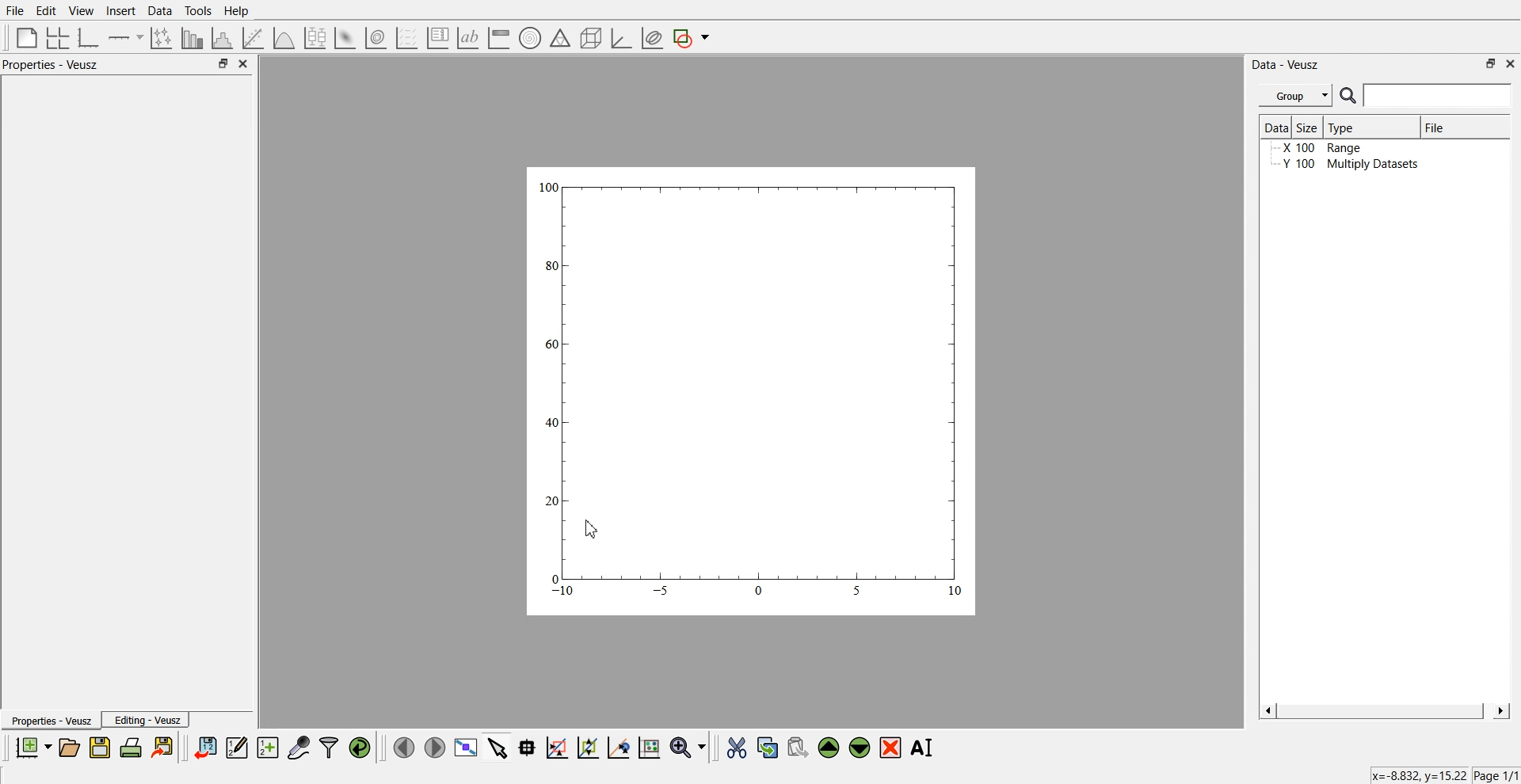 The width and height of the screenshot is (1521, 784). What do you see at coordinates (147, 720) in the screenshot?
I see `Editing - Veusz` at bounding box center [147, 720].